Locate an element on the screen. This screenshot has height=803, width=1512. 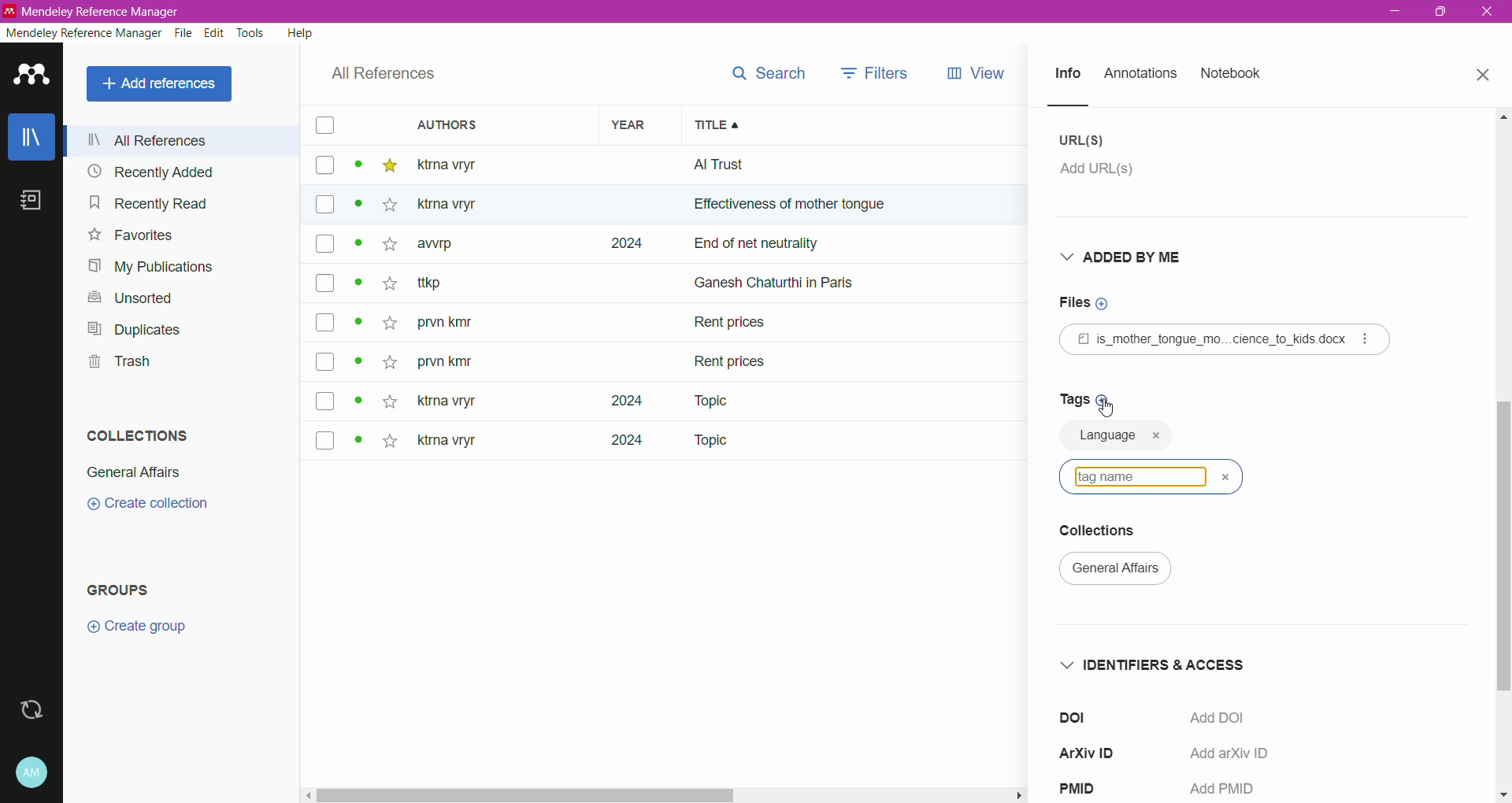
effectiveness of mother ton is located at coordinates (770, 208).